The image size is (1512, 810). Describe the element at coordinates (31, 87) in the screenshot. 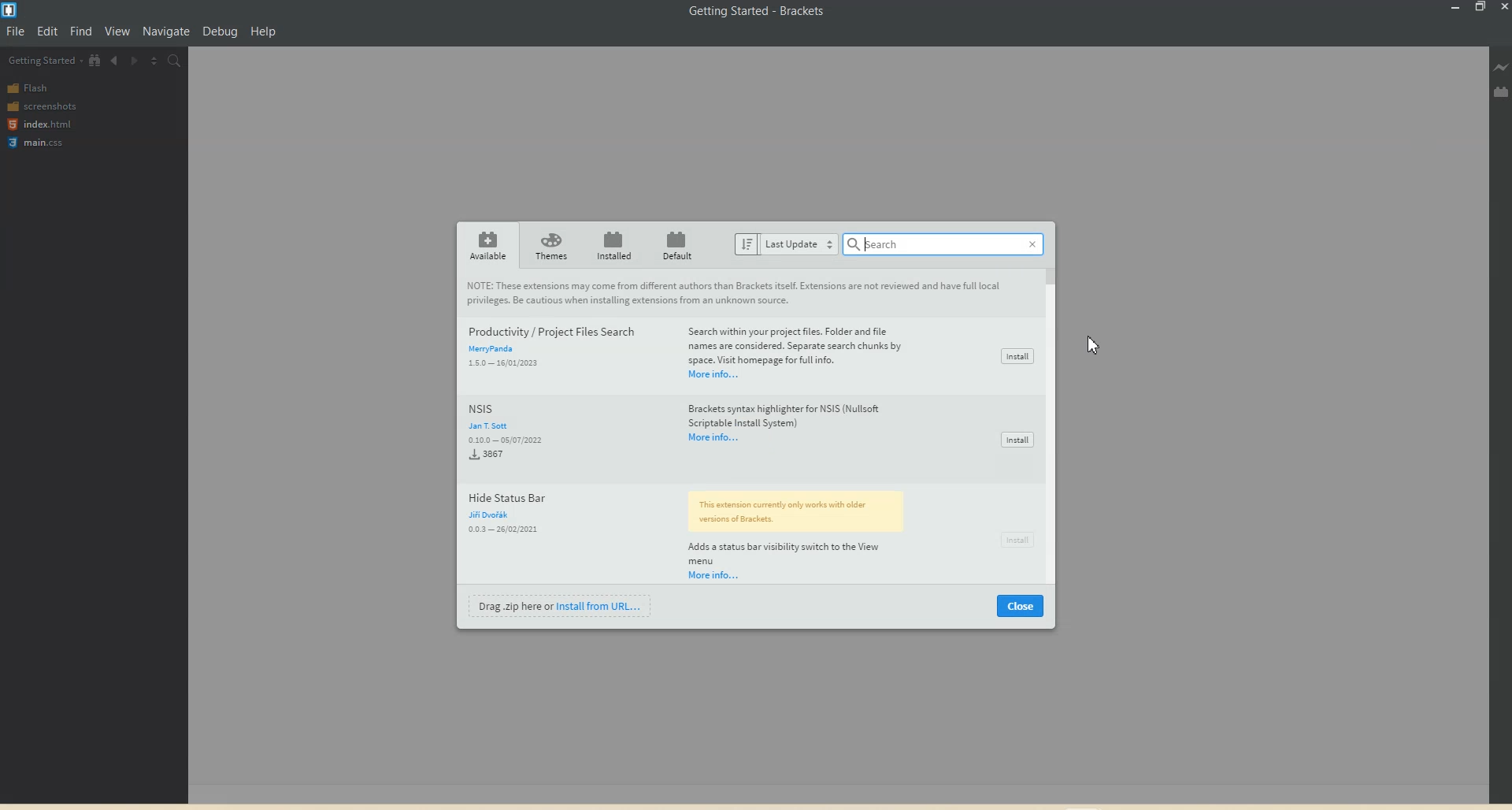

I see `Flash` at that location.